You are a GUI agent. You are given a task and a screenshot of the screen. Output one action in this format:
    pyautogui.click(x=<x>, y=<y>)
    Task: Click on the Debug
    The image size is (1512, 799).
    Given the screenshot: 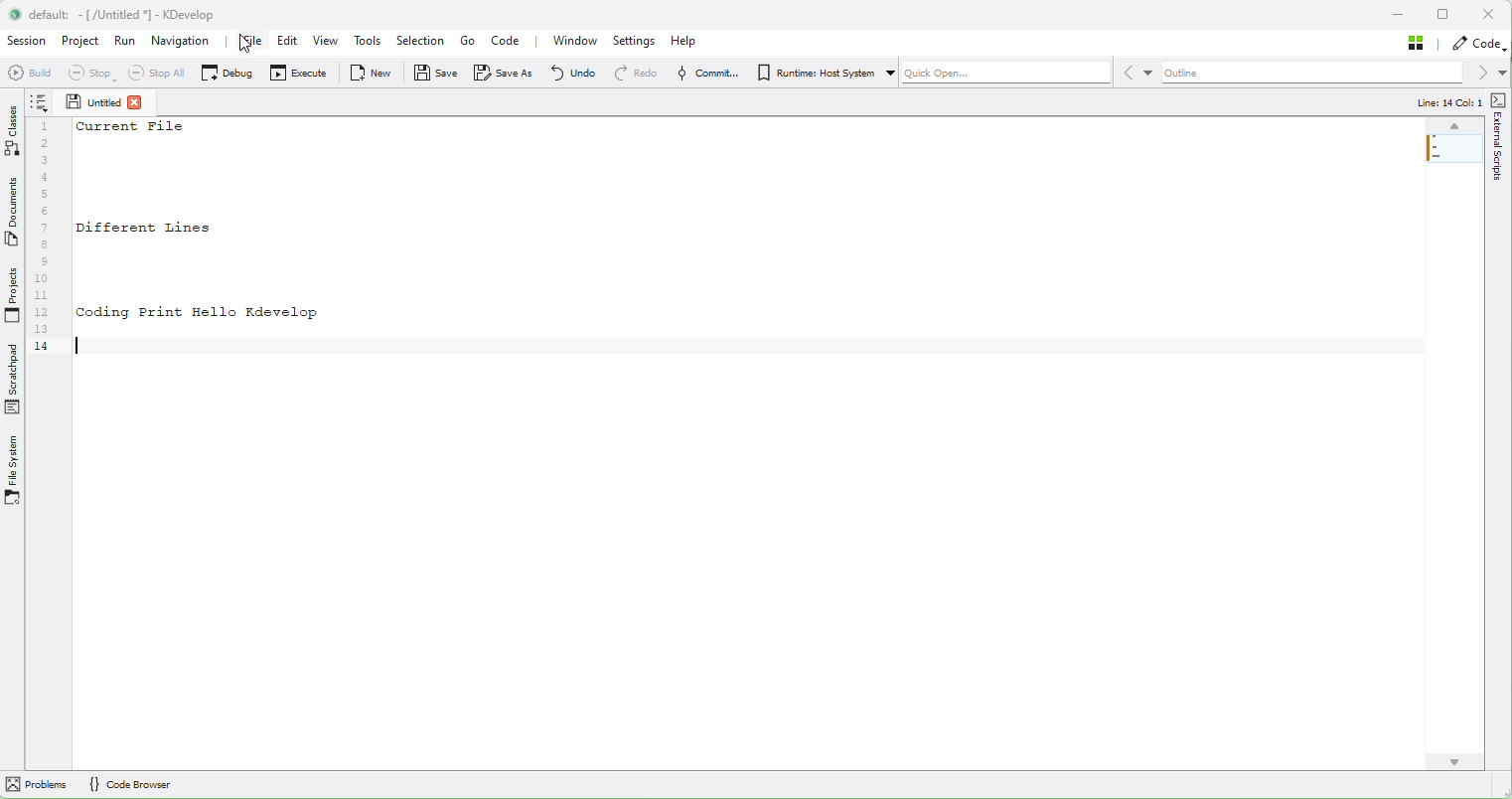 What is the action you would take?
    pyautogui.click(x=224, y=74)
    